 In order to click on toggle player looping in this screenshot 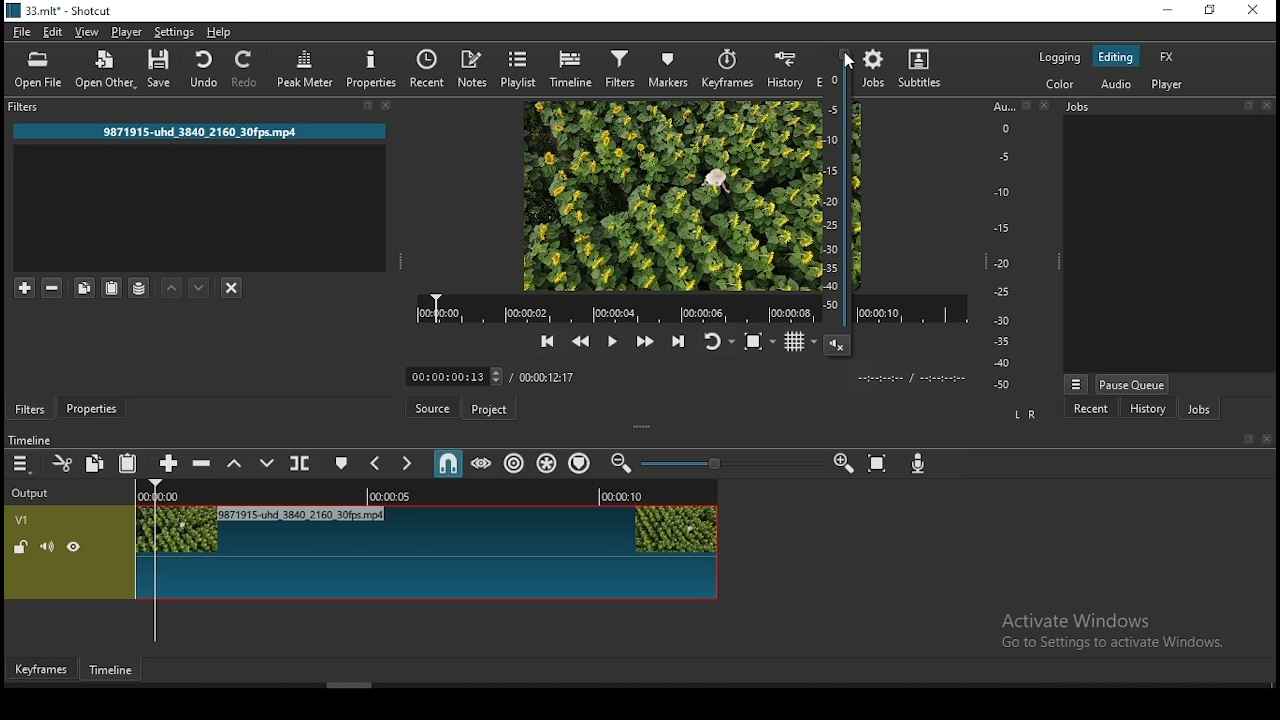, I will do `click(717, 342)`.